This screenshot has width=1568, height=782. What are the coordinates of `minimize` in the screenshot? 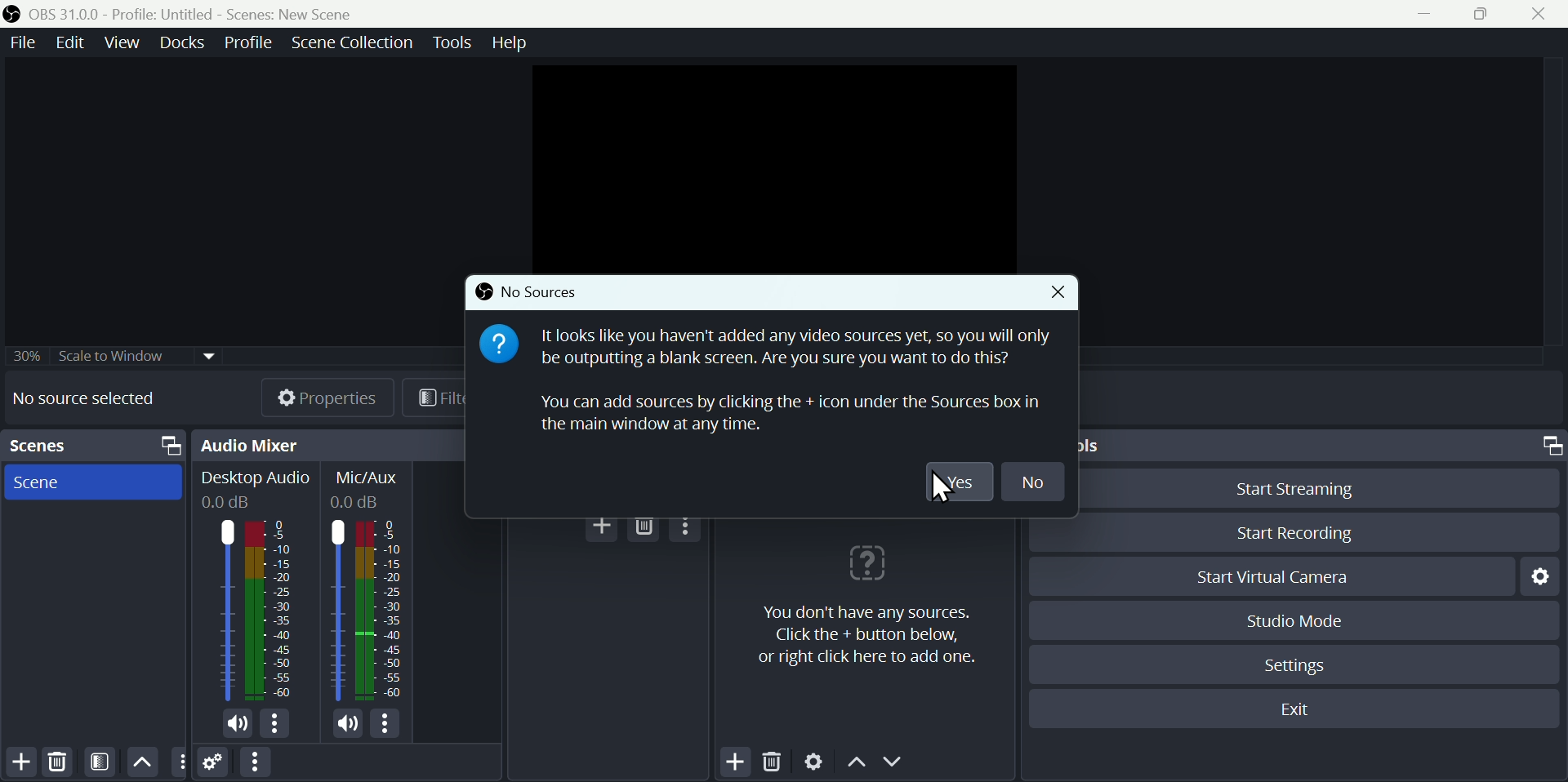 It's located at (1424, 15).